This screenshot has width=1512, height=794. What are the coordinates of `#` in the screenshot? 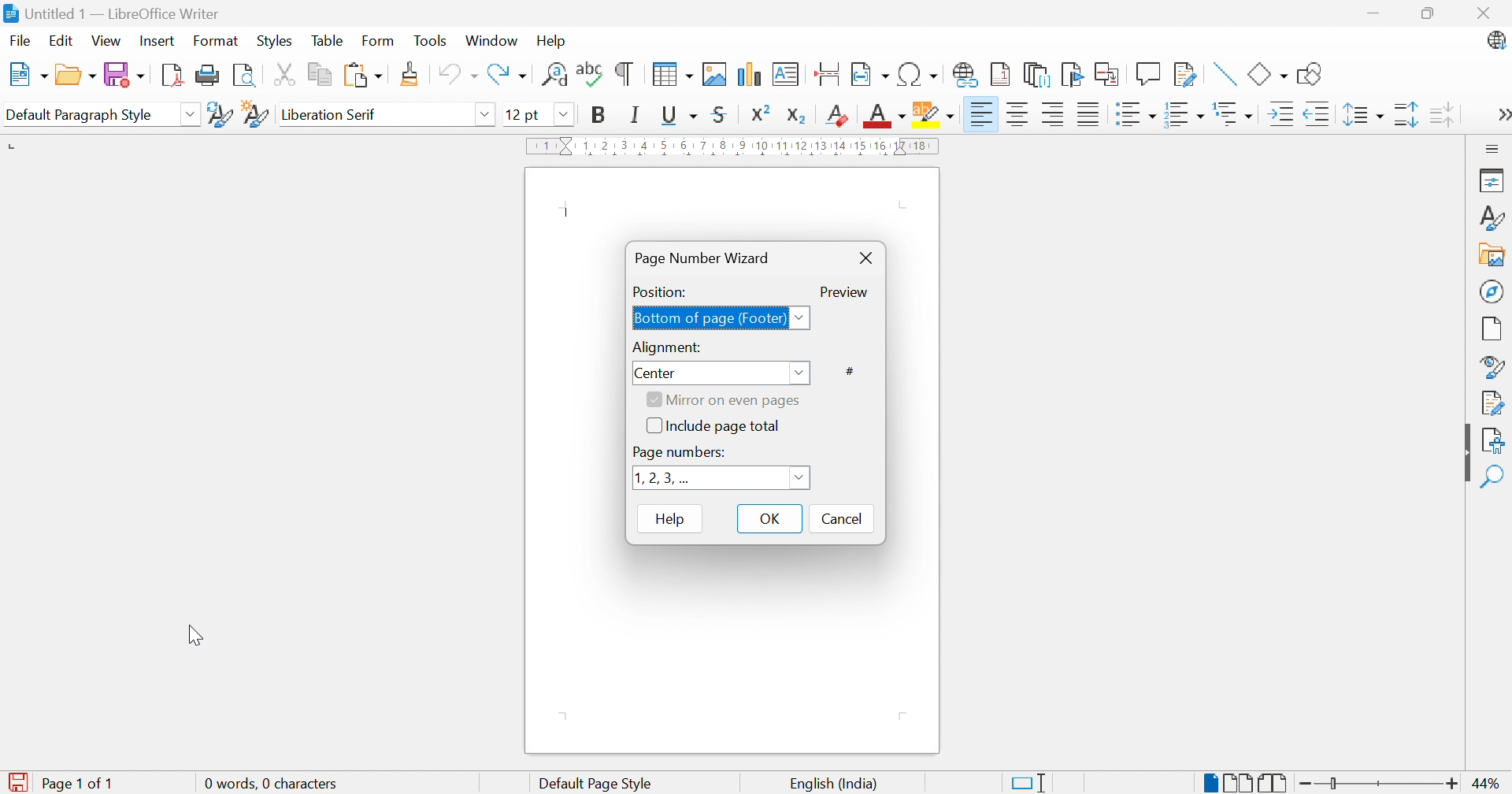 It's located at (850, 369).